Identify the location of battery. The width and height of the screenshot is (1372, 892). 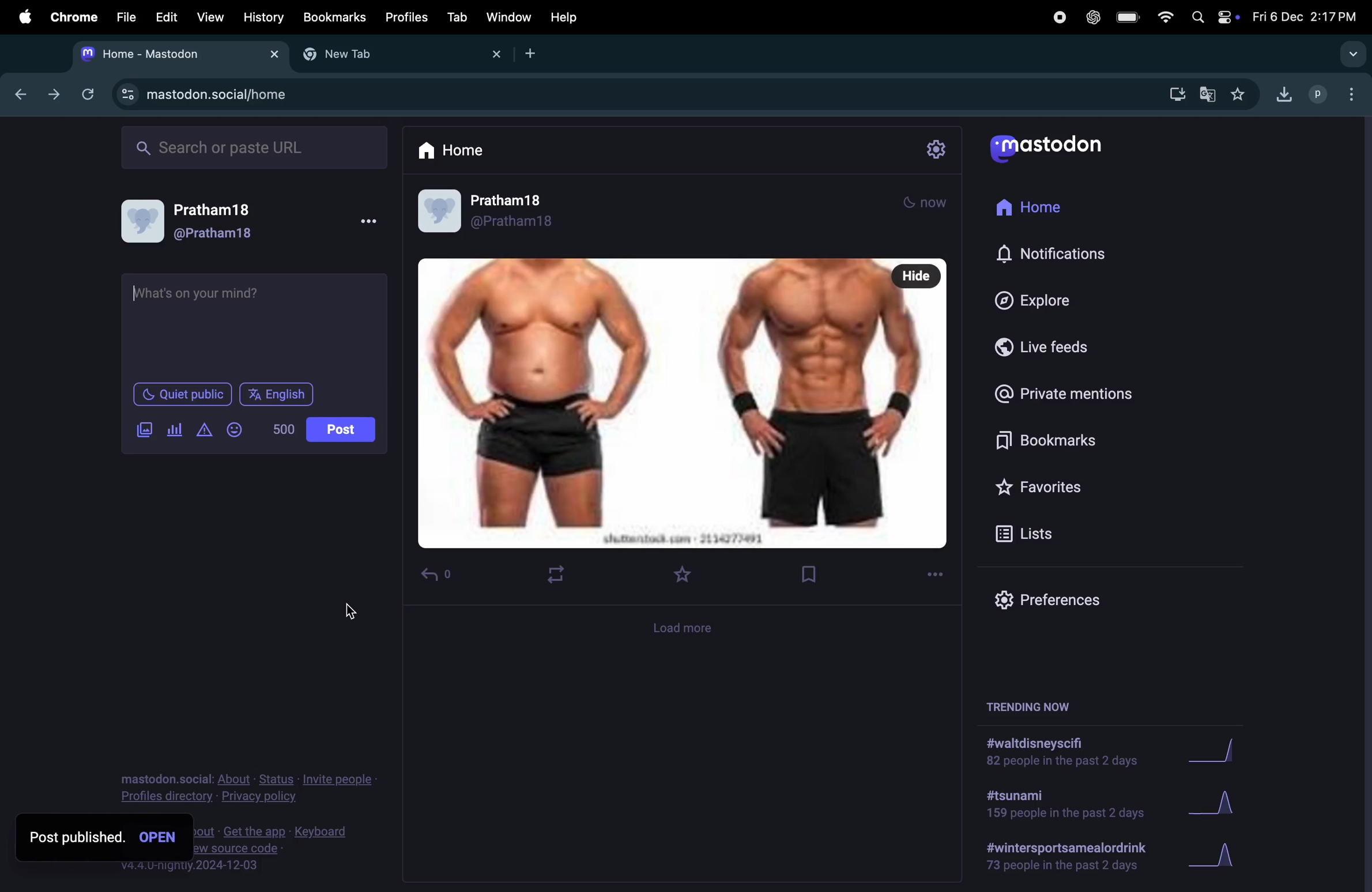
(1129, 18).